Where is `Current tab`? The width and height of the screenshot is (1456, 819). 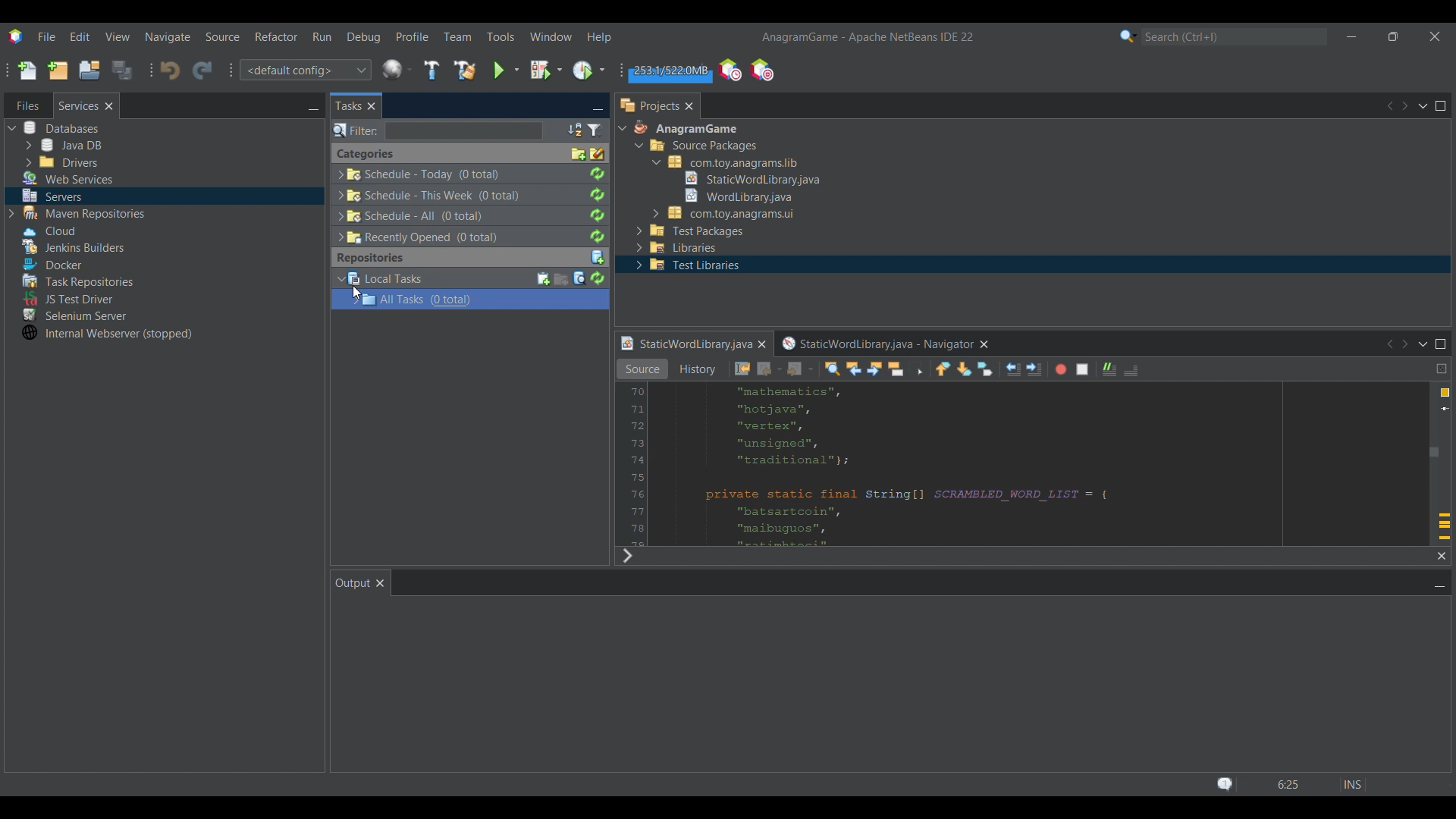 Current tab is located at coordinates (78, 104).